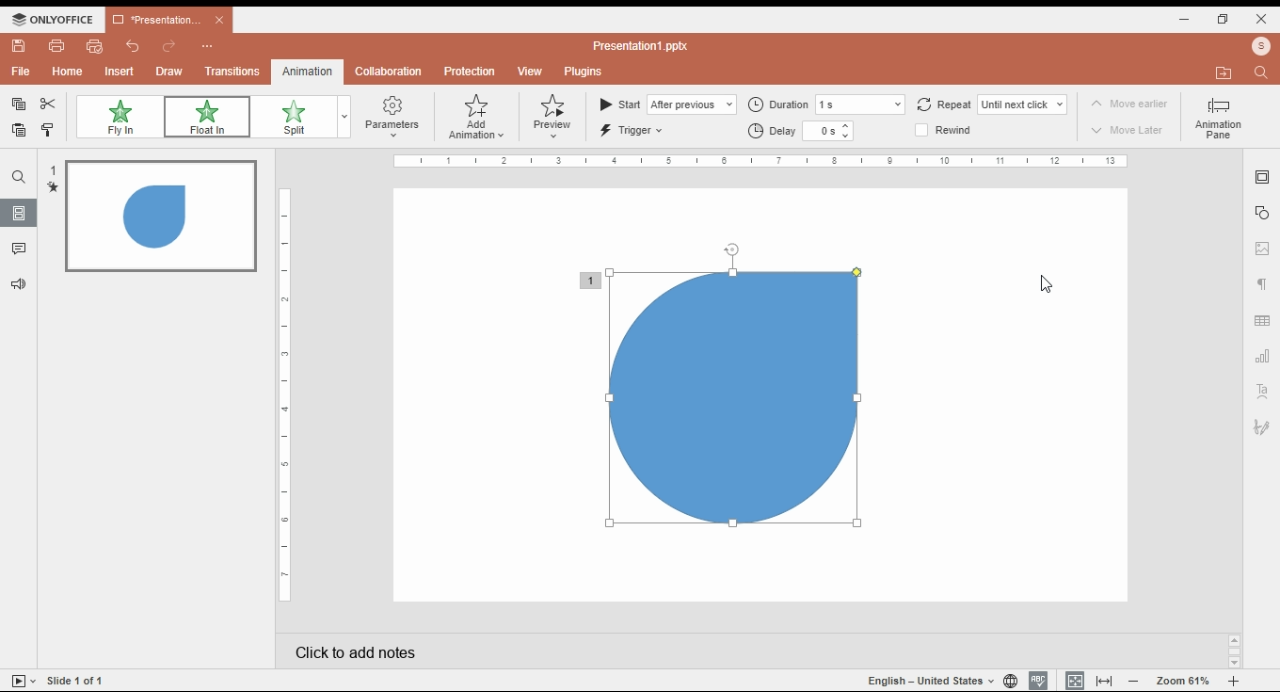 Image resolution: width=1280 pixels, height=692 pixels. What do you see at coordinates (1105, 681) in the screenshot?
I see `fit to width` at bounding box center [1105, 681].